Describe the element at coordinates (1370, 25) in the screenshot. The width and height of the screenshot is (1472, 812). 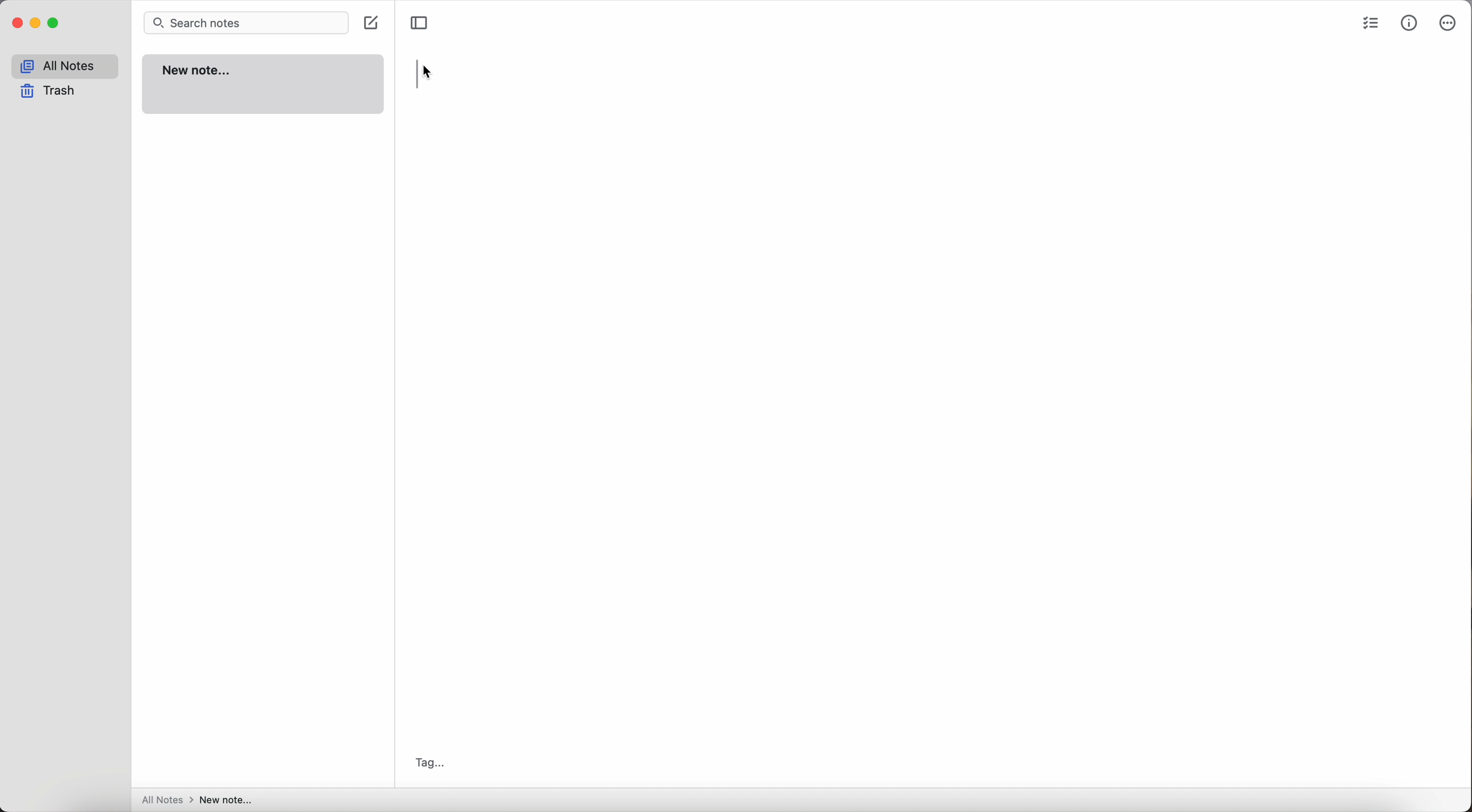
I see `check list` at that location.